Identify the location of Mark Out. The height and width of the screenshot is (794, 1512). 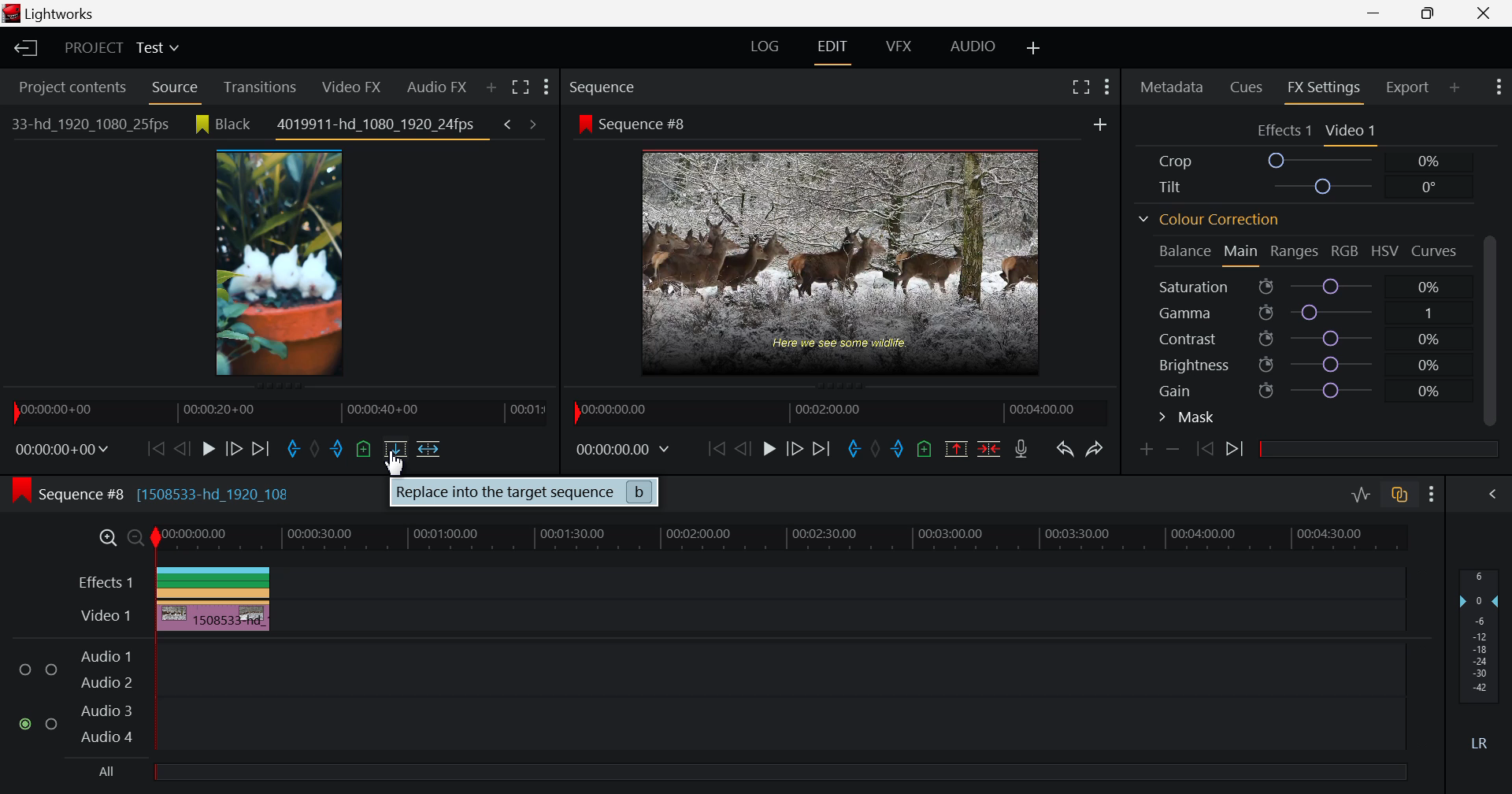
(899, 451).